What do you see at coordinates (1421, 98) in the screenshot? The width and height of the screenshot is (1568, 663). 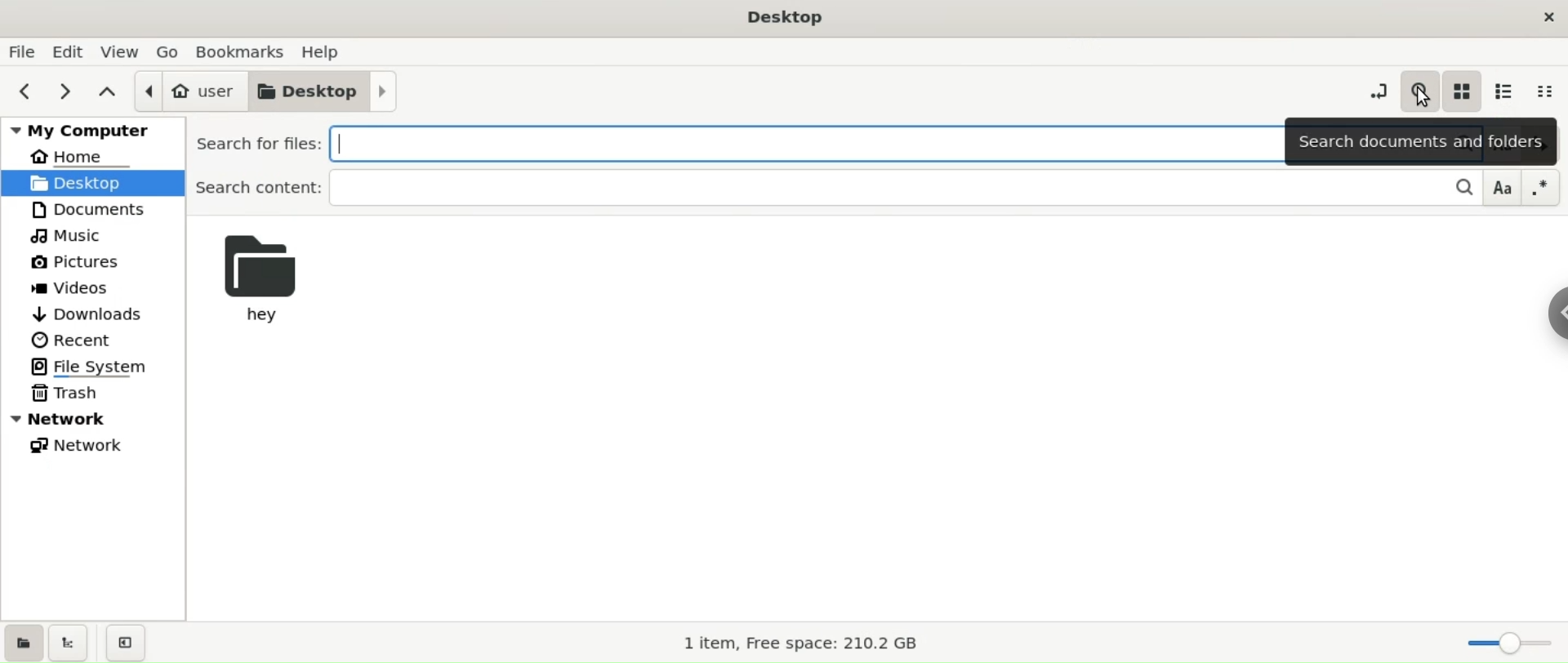 I see `cursor` at bounding box center [1421, 98].